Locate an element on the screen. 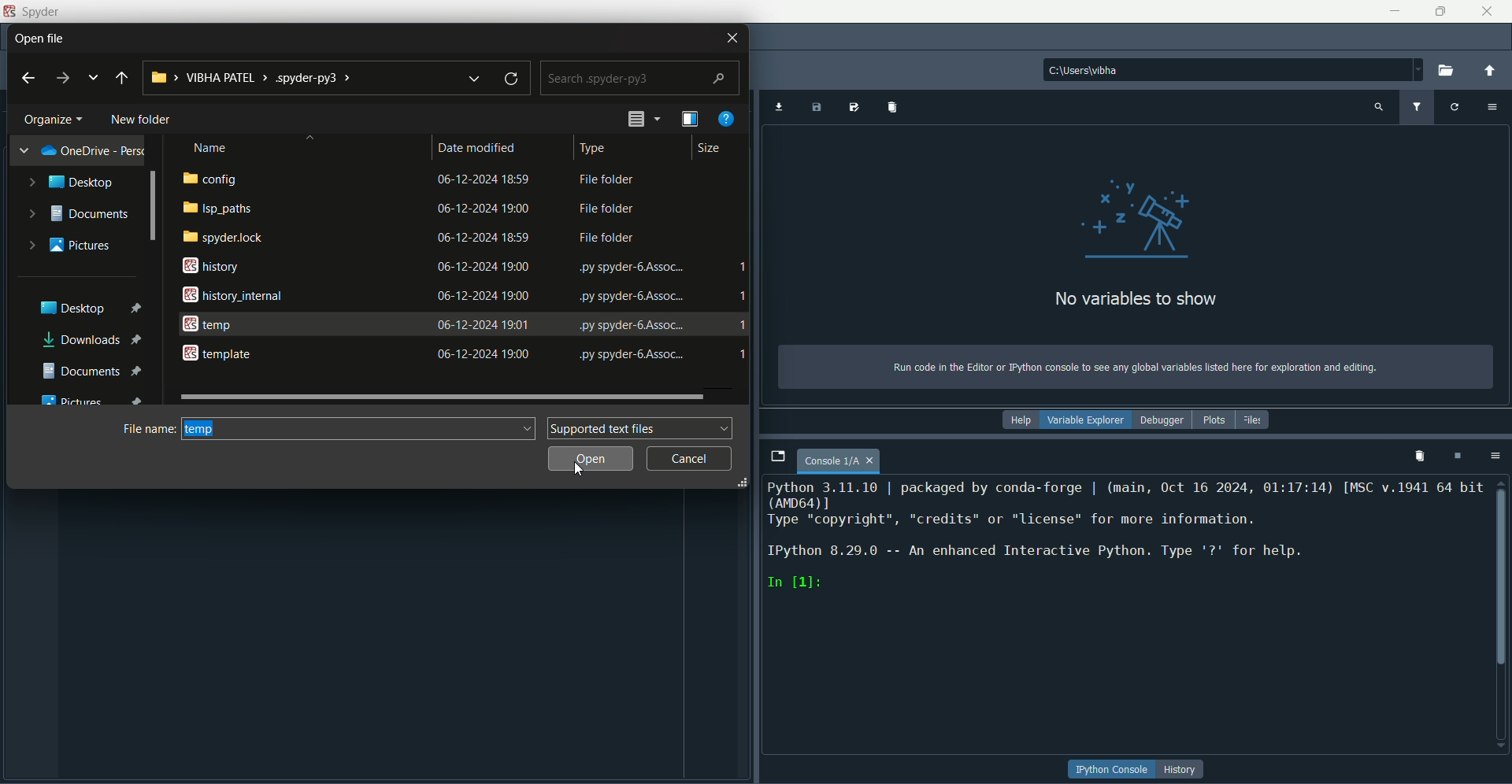 Image resolution: width=1512 pixels, height=784 pixels. file path is located at coordinates (1232, 72).